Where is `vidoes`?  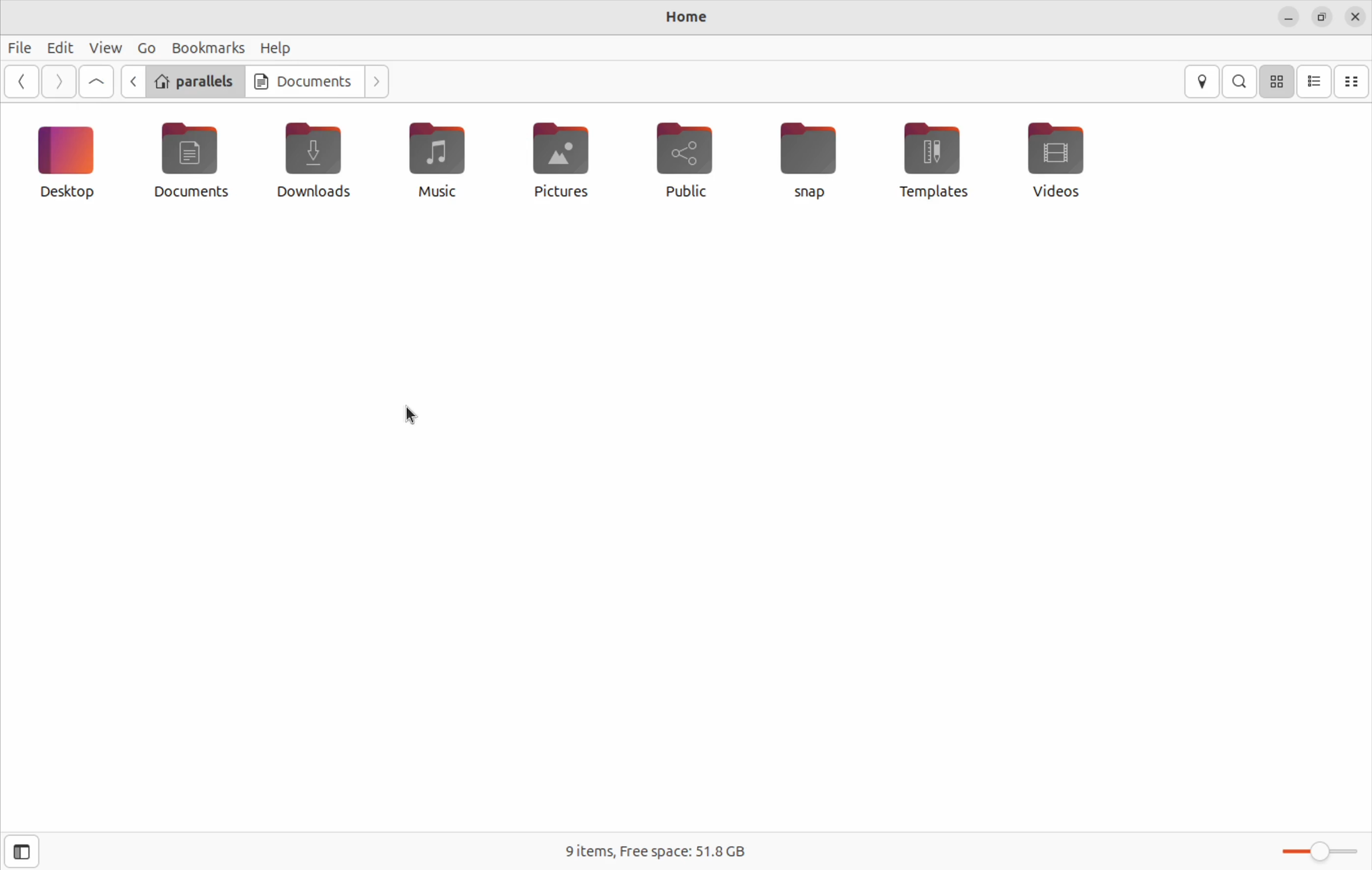
vidoes is located at coordinates (1047, 158).